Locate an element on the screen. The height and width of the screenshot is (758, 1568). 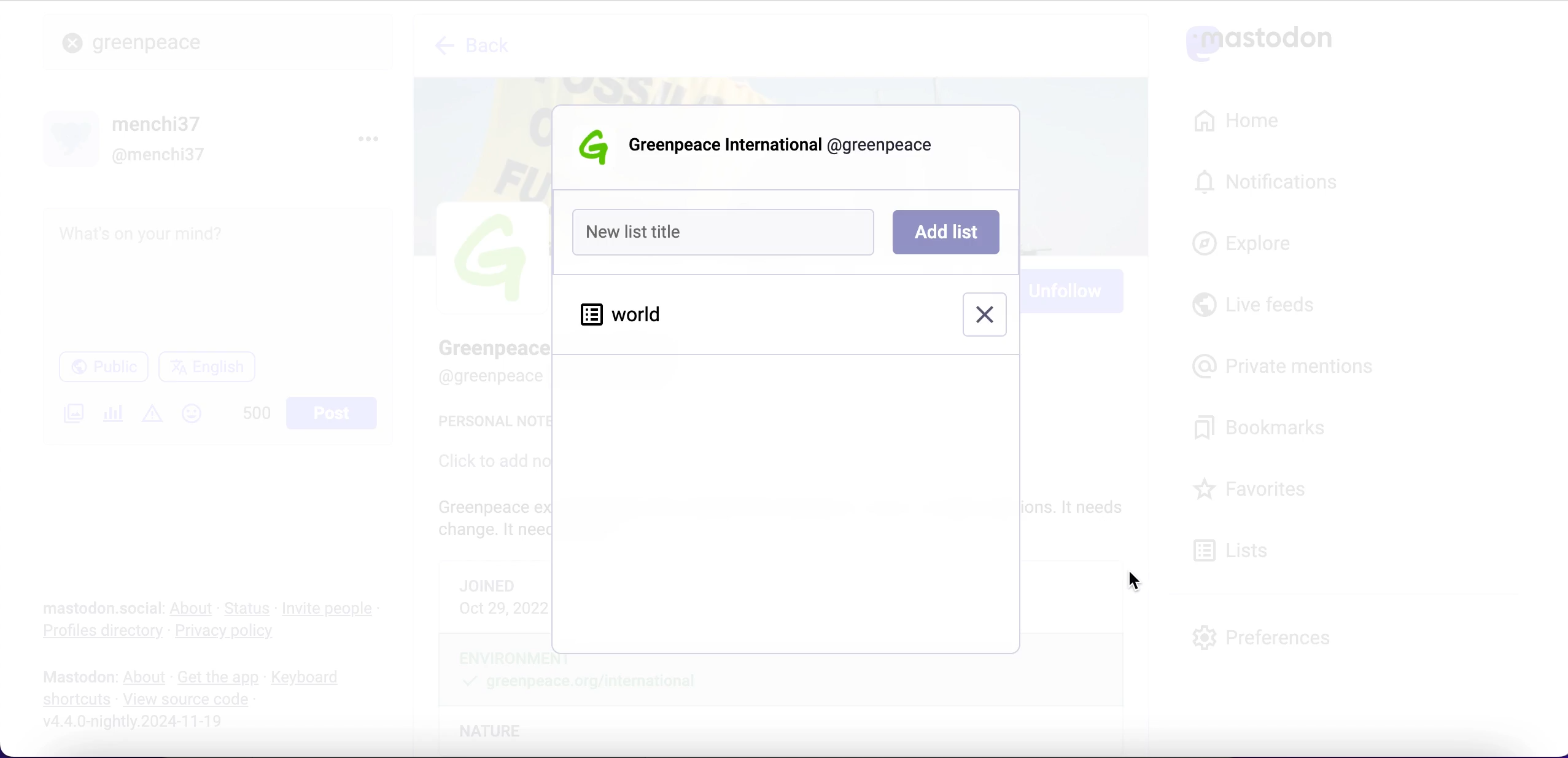
new list title is located at coordinates (724, 232).